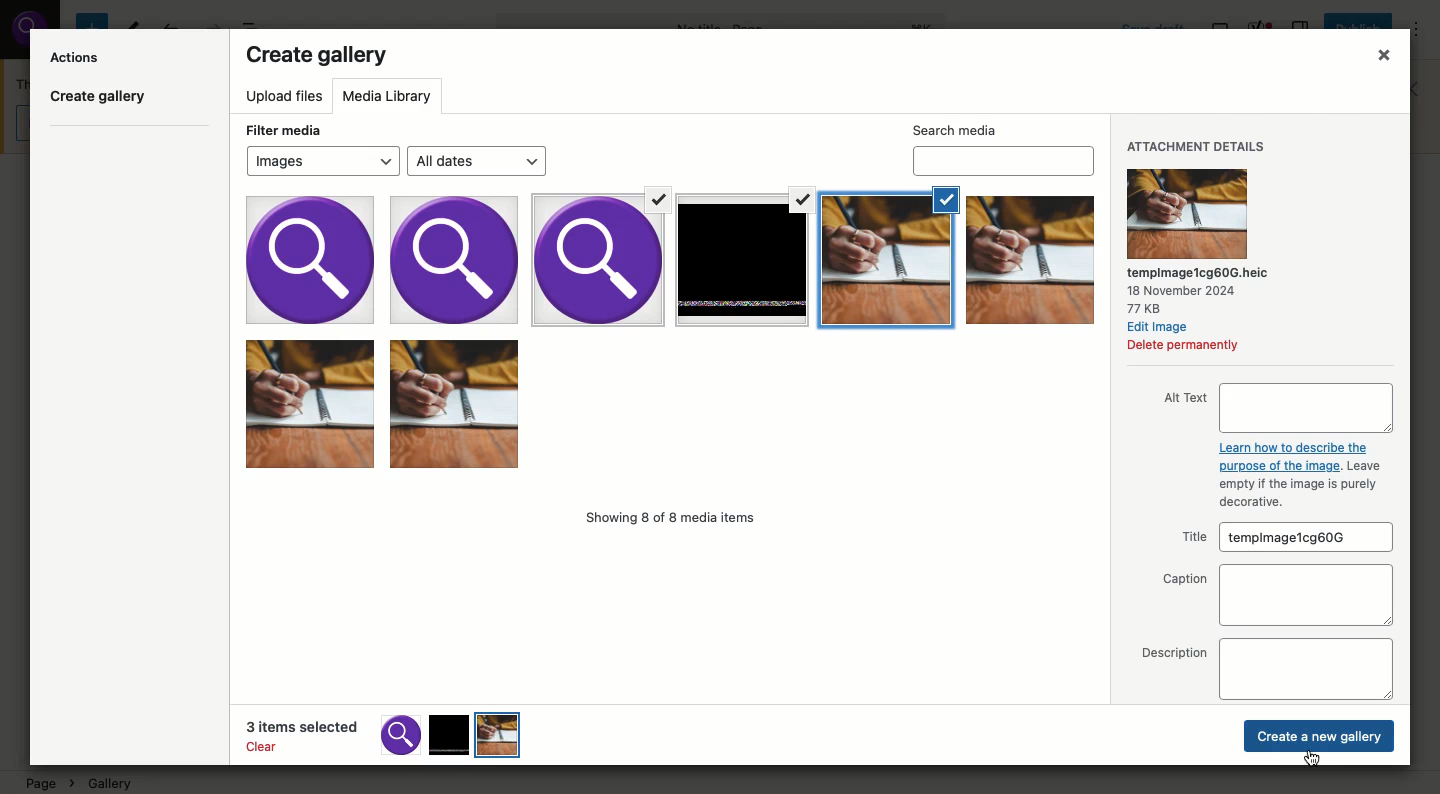 This screenshot has width=1440, height=794. What do you see at coordinates (962, 261) in the screenshot?
I see `Selected Images` at bounding box center [962, 261].